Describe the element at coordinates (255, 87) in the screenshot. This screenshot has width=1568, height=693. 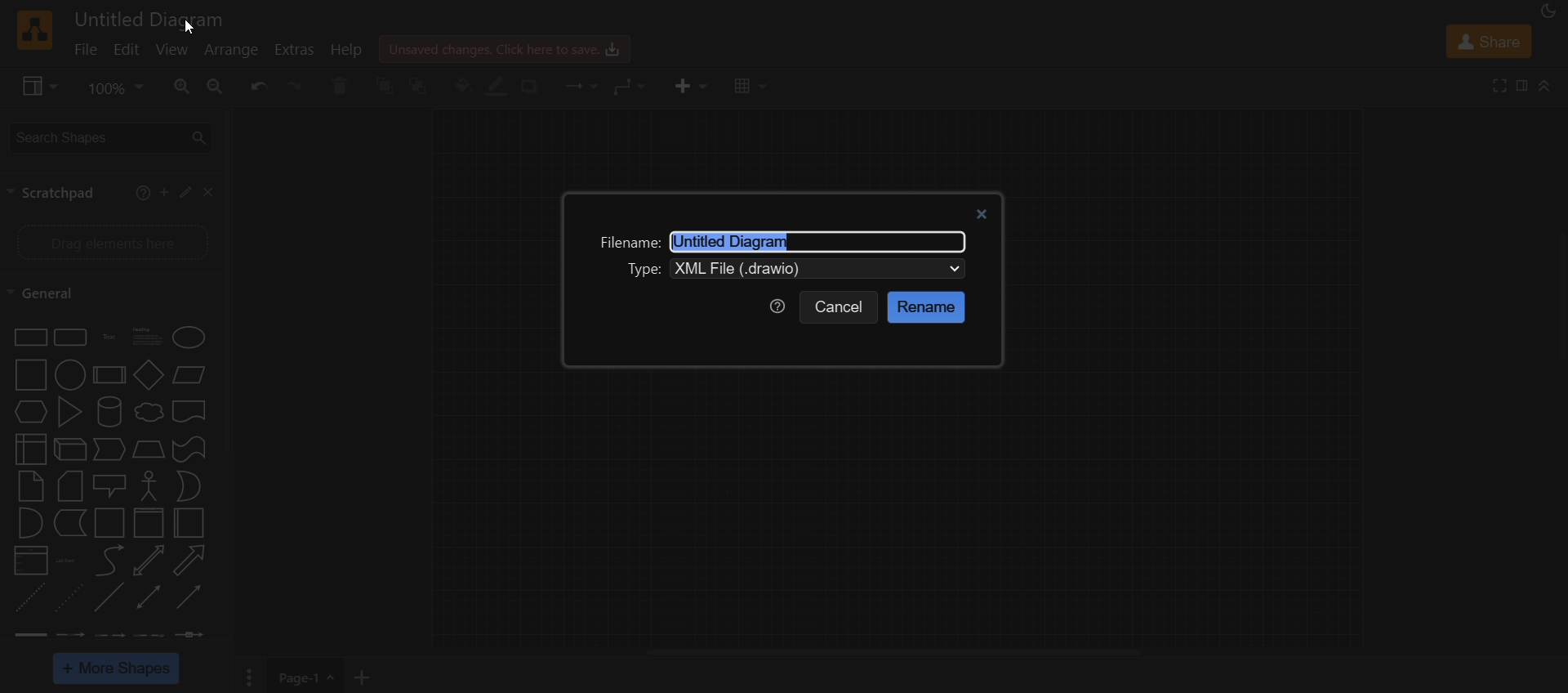
I see `undo` at that location.